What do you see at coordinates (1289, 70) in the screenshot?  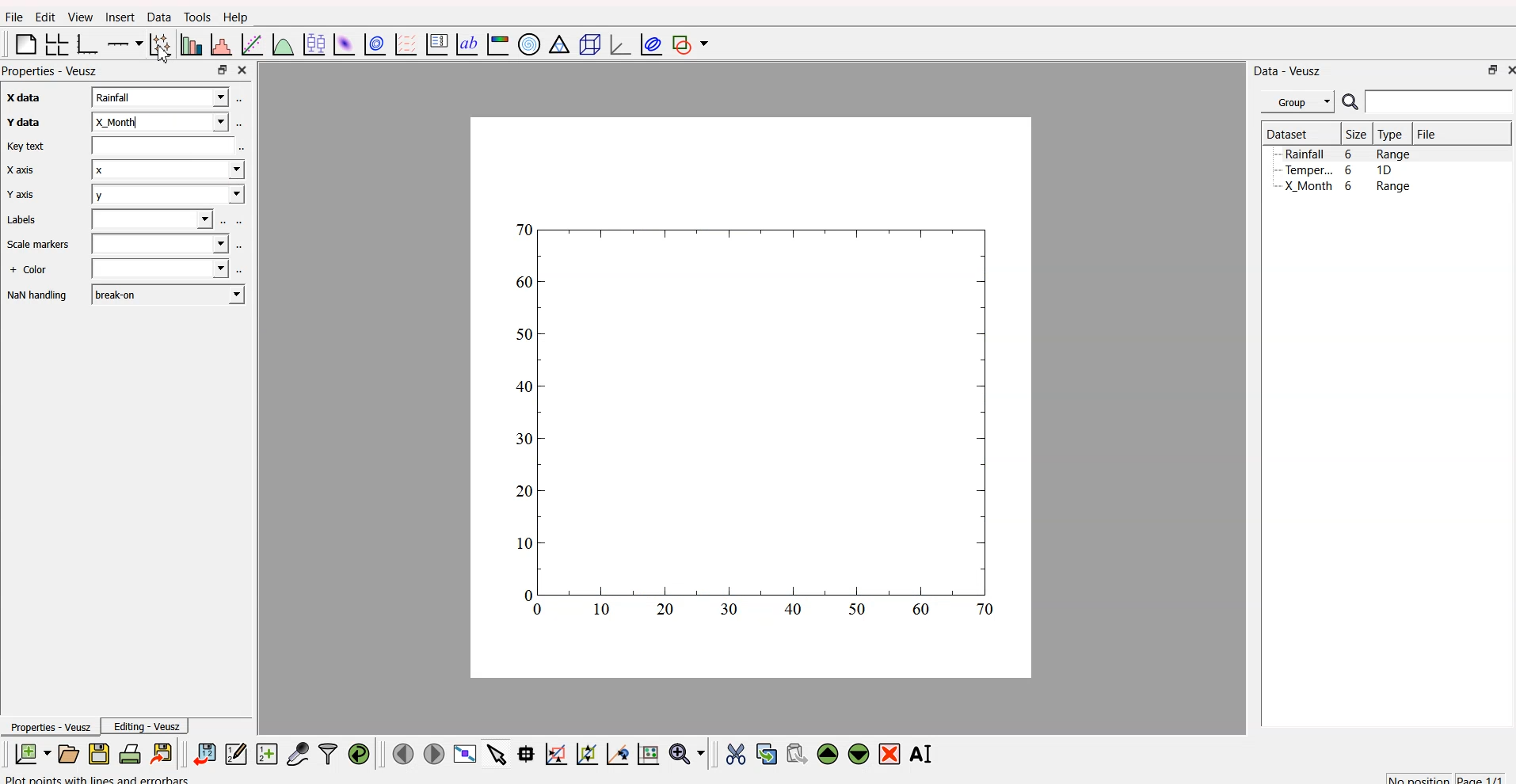 I see `Data - Veusz` at bounding box center [1289, 70].